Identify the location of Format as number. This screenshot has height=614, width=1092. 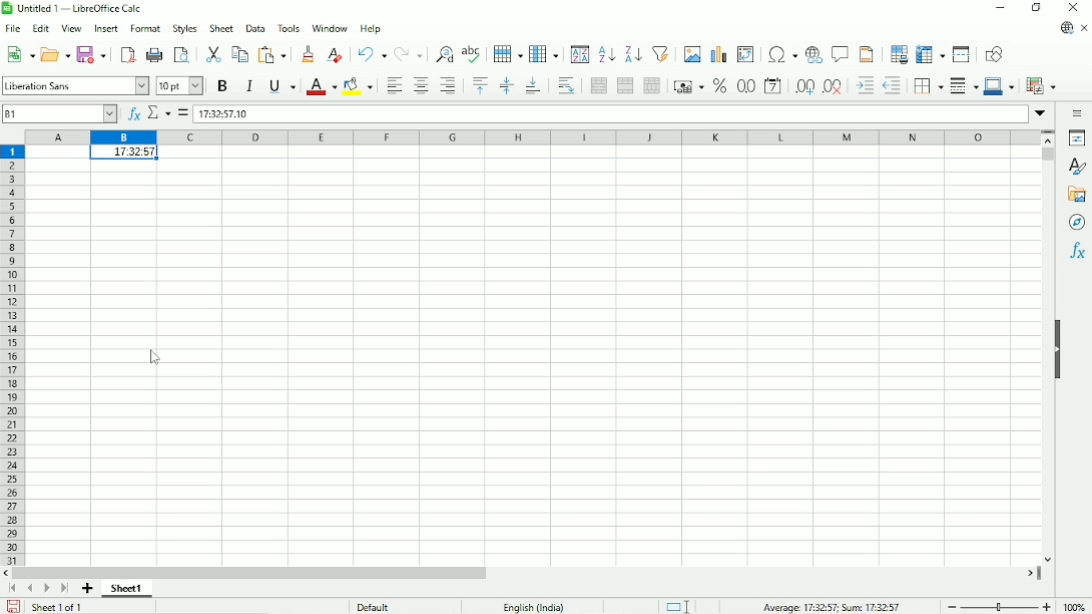
(745, 85).